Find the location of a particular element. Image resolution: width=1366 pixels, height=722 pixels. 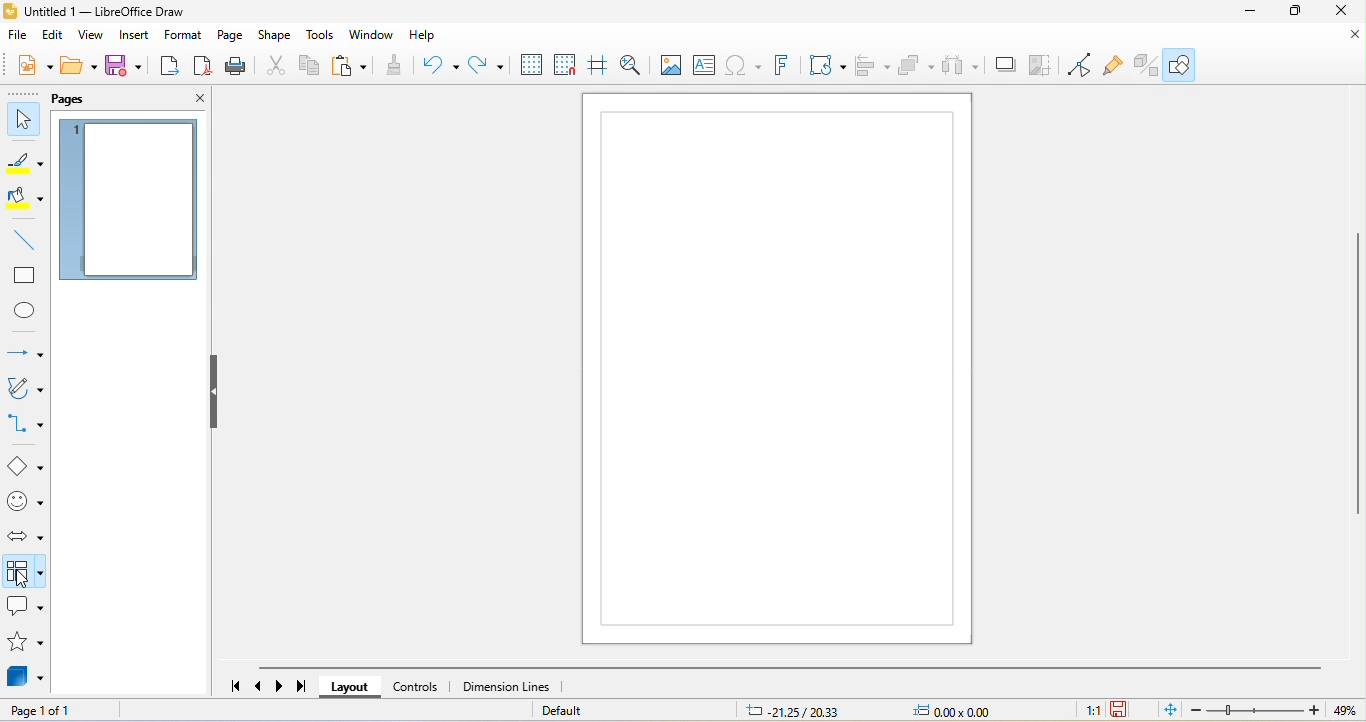

layout is located at coordinates (349, 687).